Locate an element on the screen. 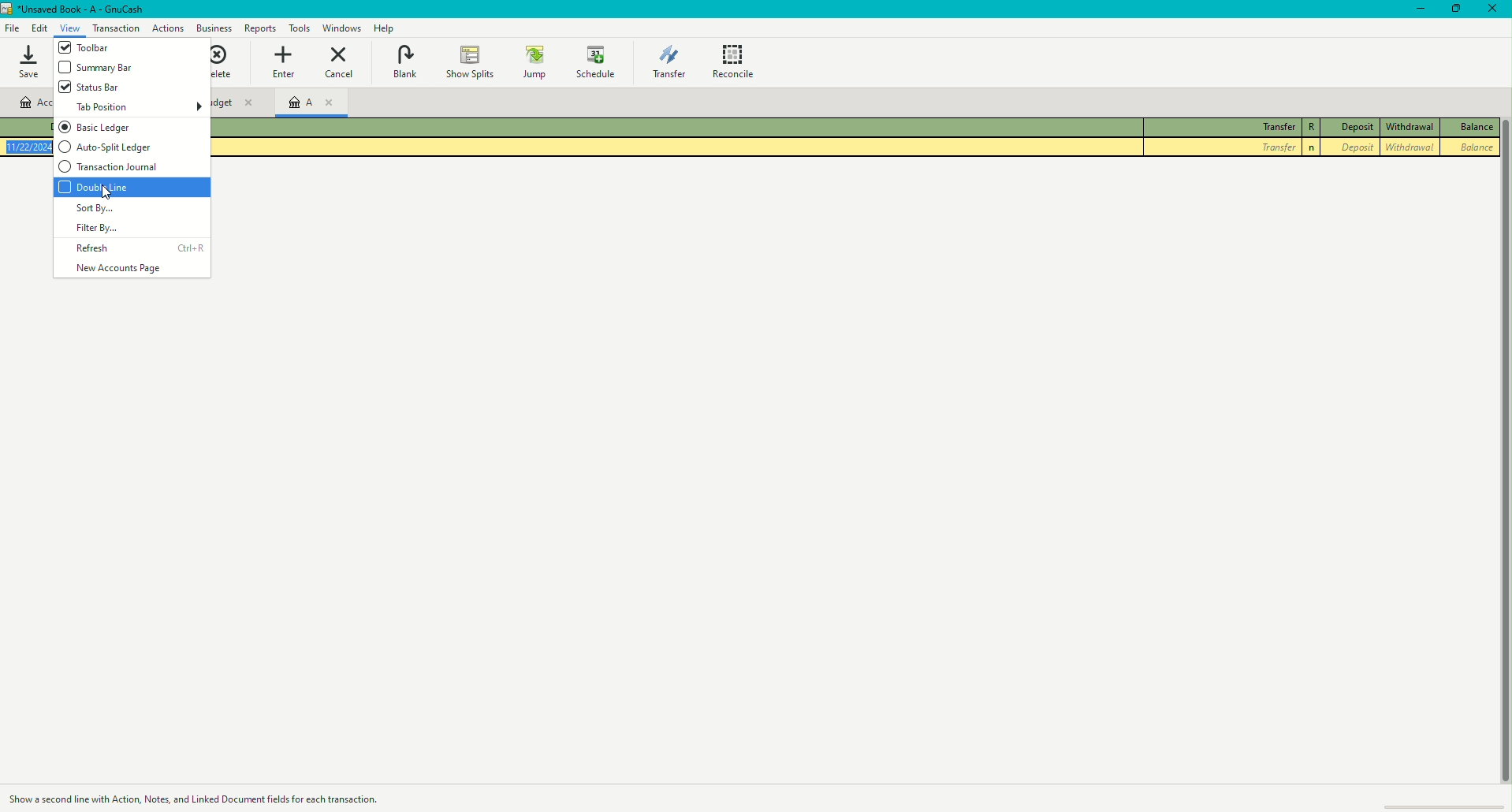  Withdrawal is located at coordinates (1410, 147).